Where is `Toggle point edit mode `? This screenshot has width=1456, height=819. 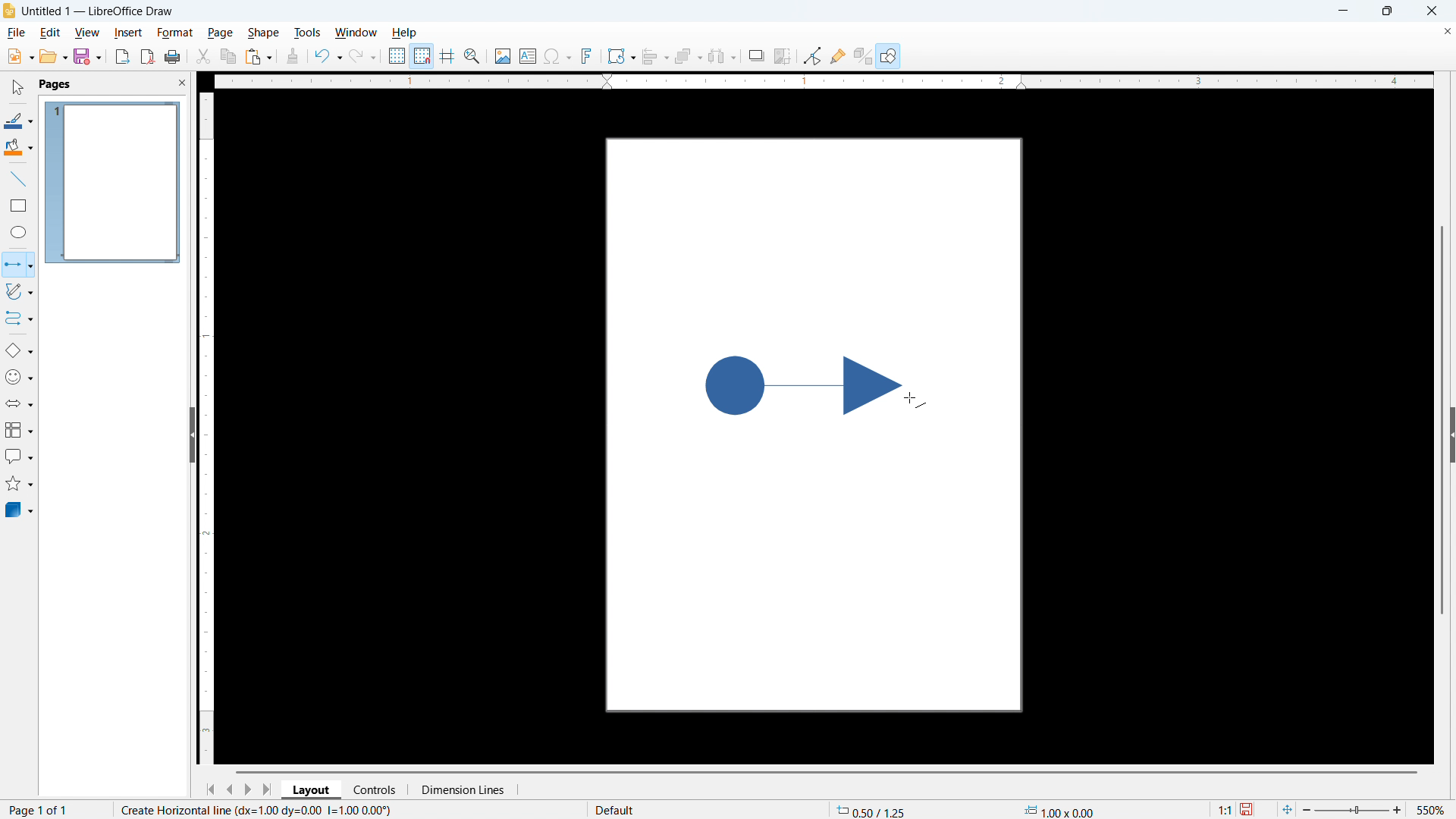 Toggle point edit mode  is located at coordinates (813, 55).